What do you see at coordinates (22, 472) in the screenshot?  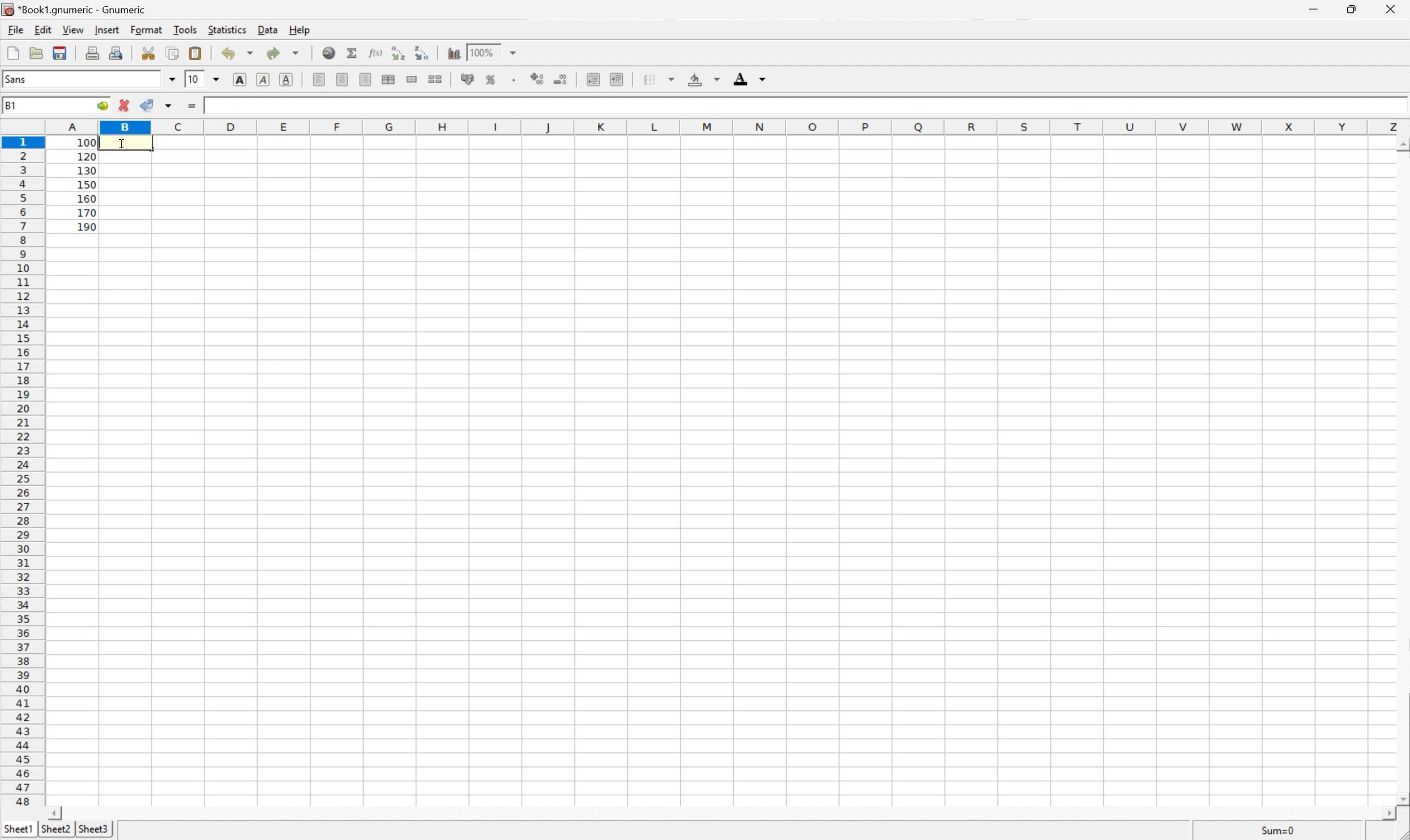 I see `Row number` at bounding box center [22, 472].